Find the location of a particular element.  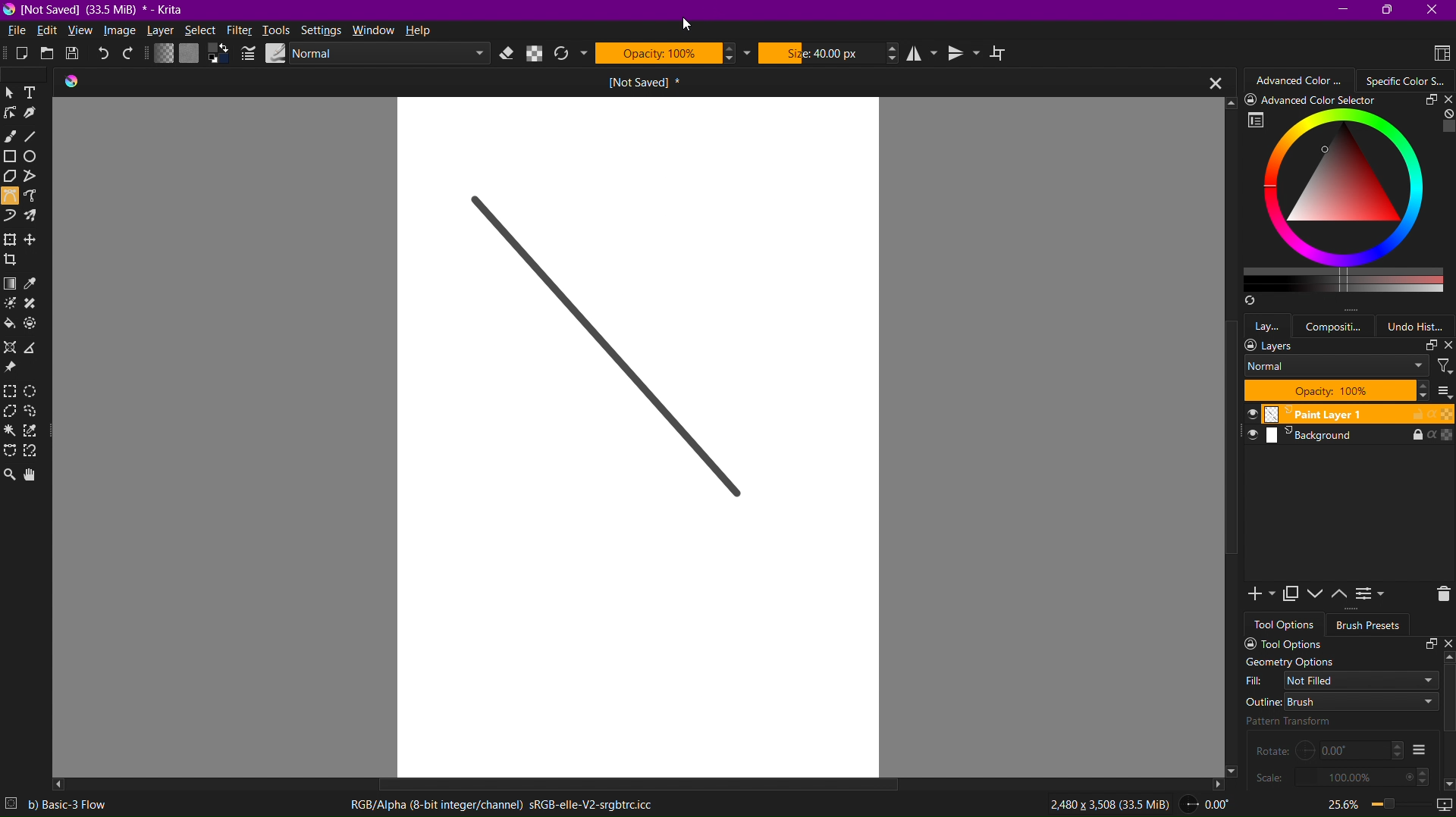

Crop the image is located at coordinates (13, 260).